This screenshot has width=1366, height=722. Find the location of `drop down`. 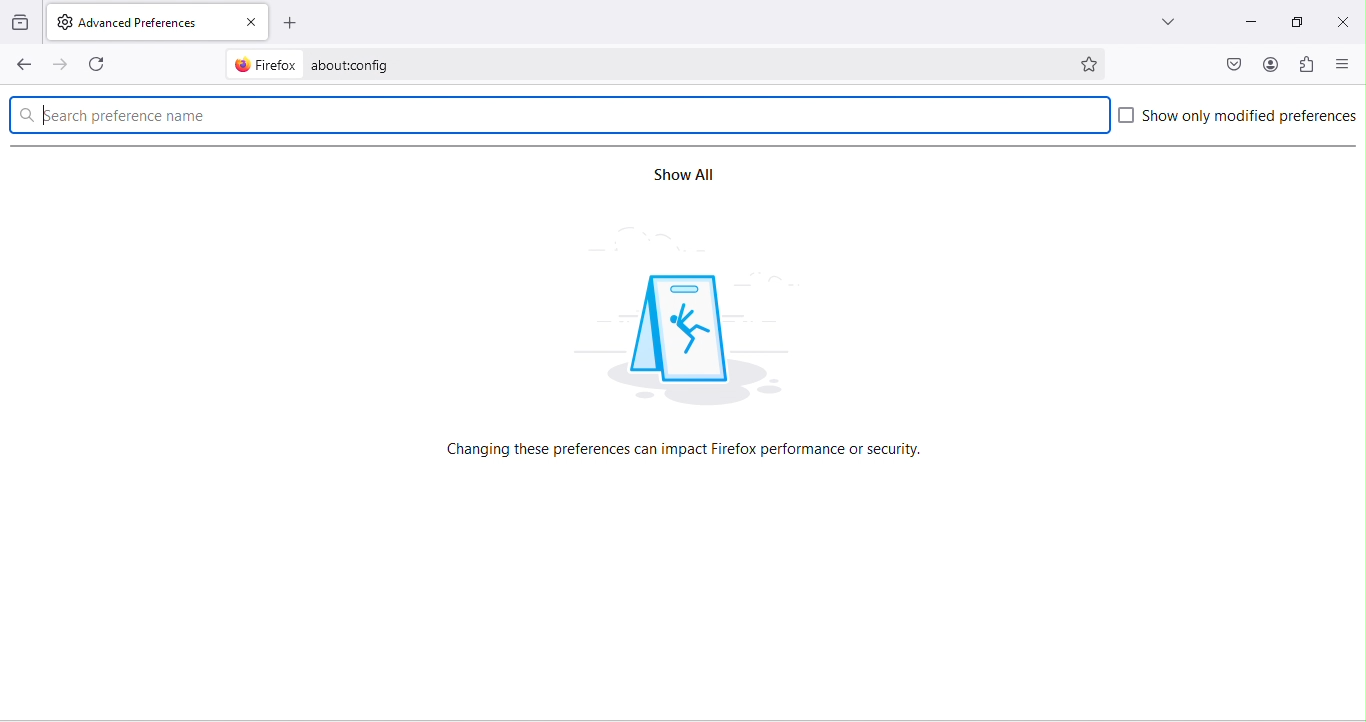

drop down is located at coordinates (1167, 22).